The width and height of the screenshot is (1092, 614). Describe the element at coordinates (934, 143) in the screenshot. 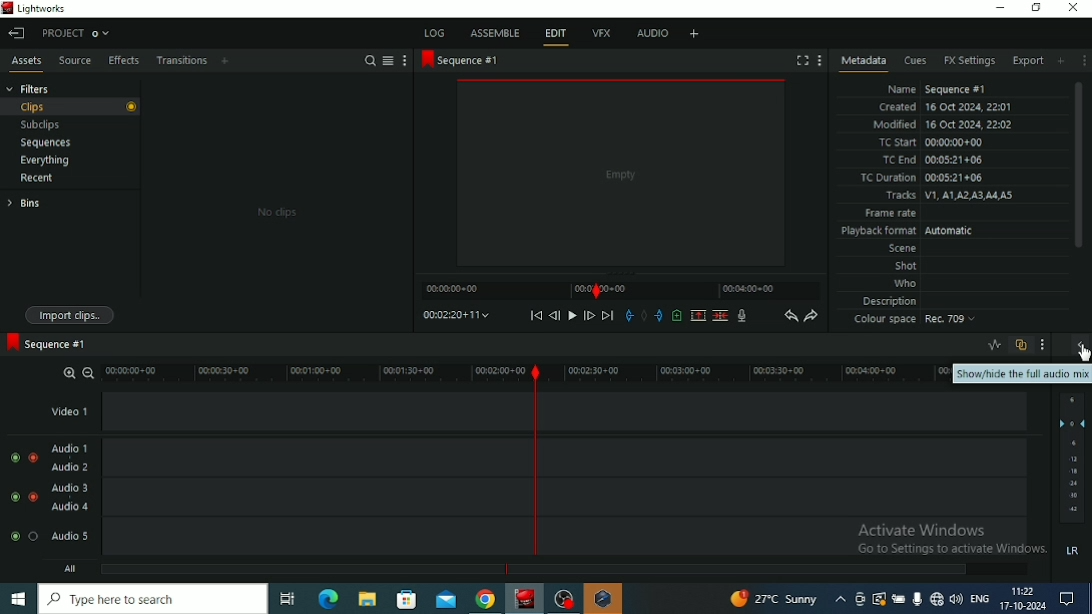

I see `TC Start` at that location.